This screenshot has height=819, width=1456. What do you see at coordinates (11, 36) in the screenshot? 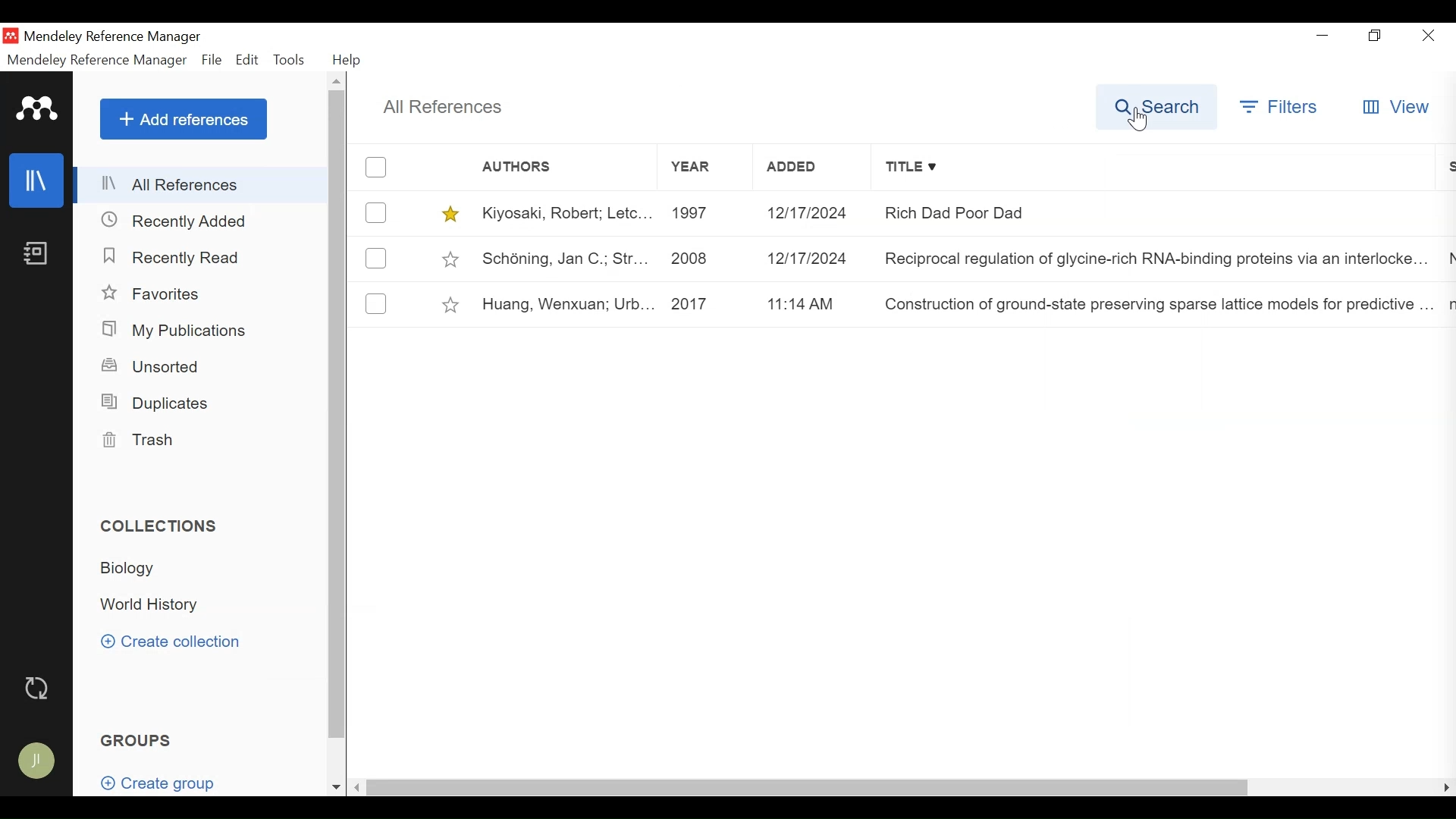
I see `Mendeley Desktop Icon` at bounding box center [11, 36].